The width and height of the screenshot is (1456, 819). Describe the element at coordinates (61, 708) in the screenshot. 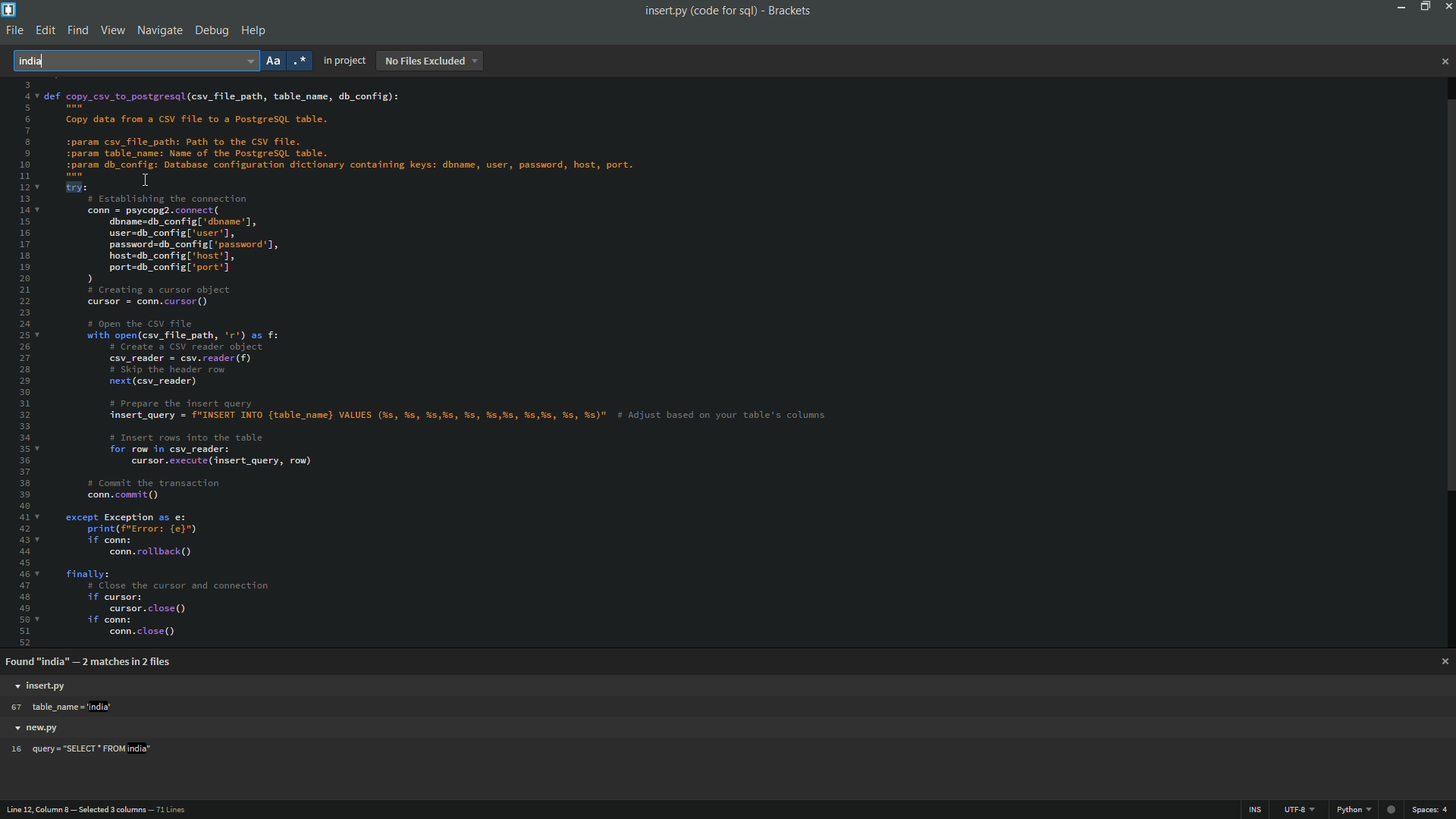

I see `text position` at that location.